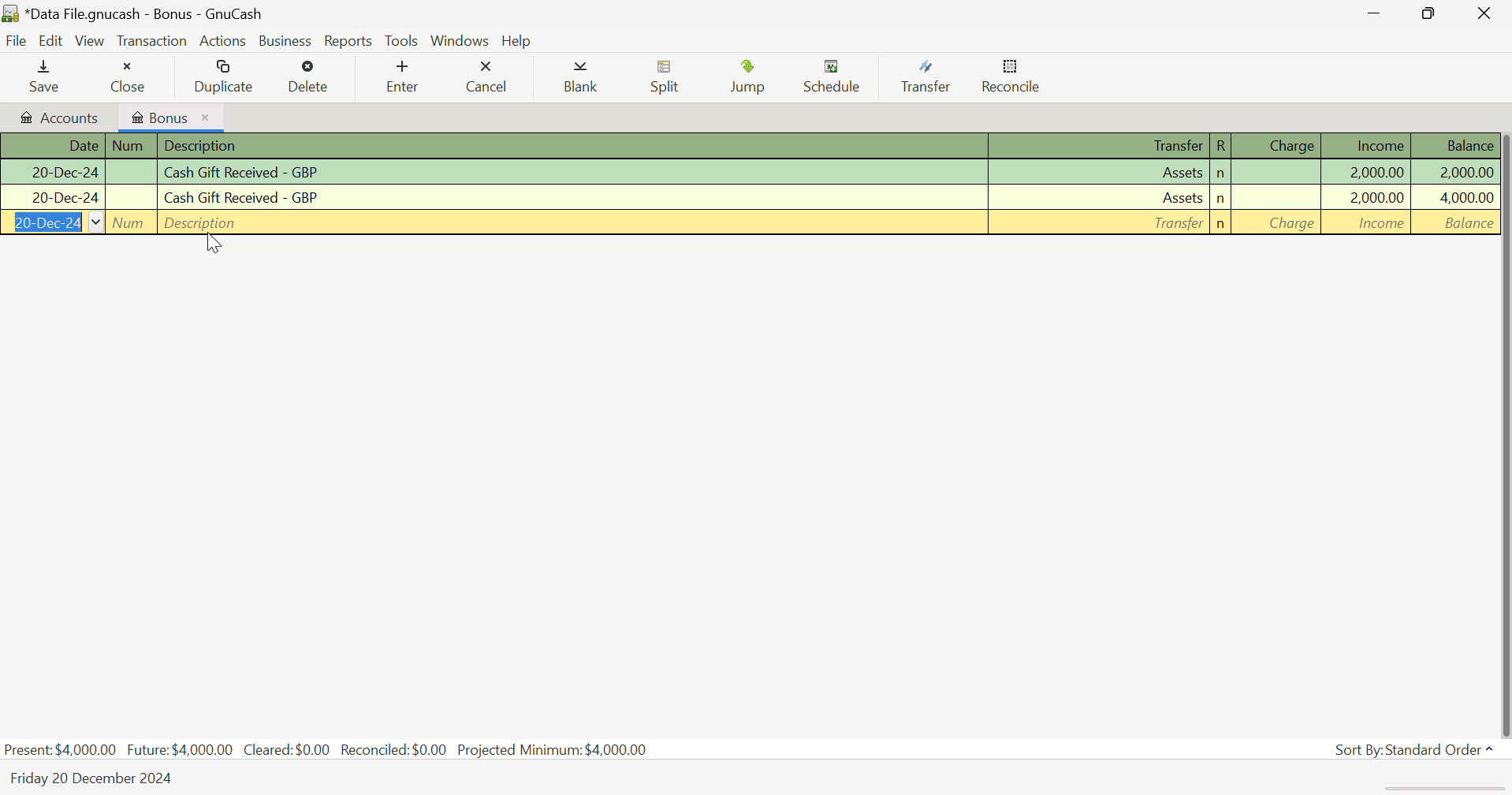 This screenshot has height=795, width=1512. Describe the element at coordinates (1377, 13) in the screenshot. I see `Restore Down` at that location.